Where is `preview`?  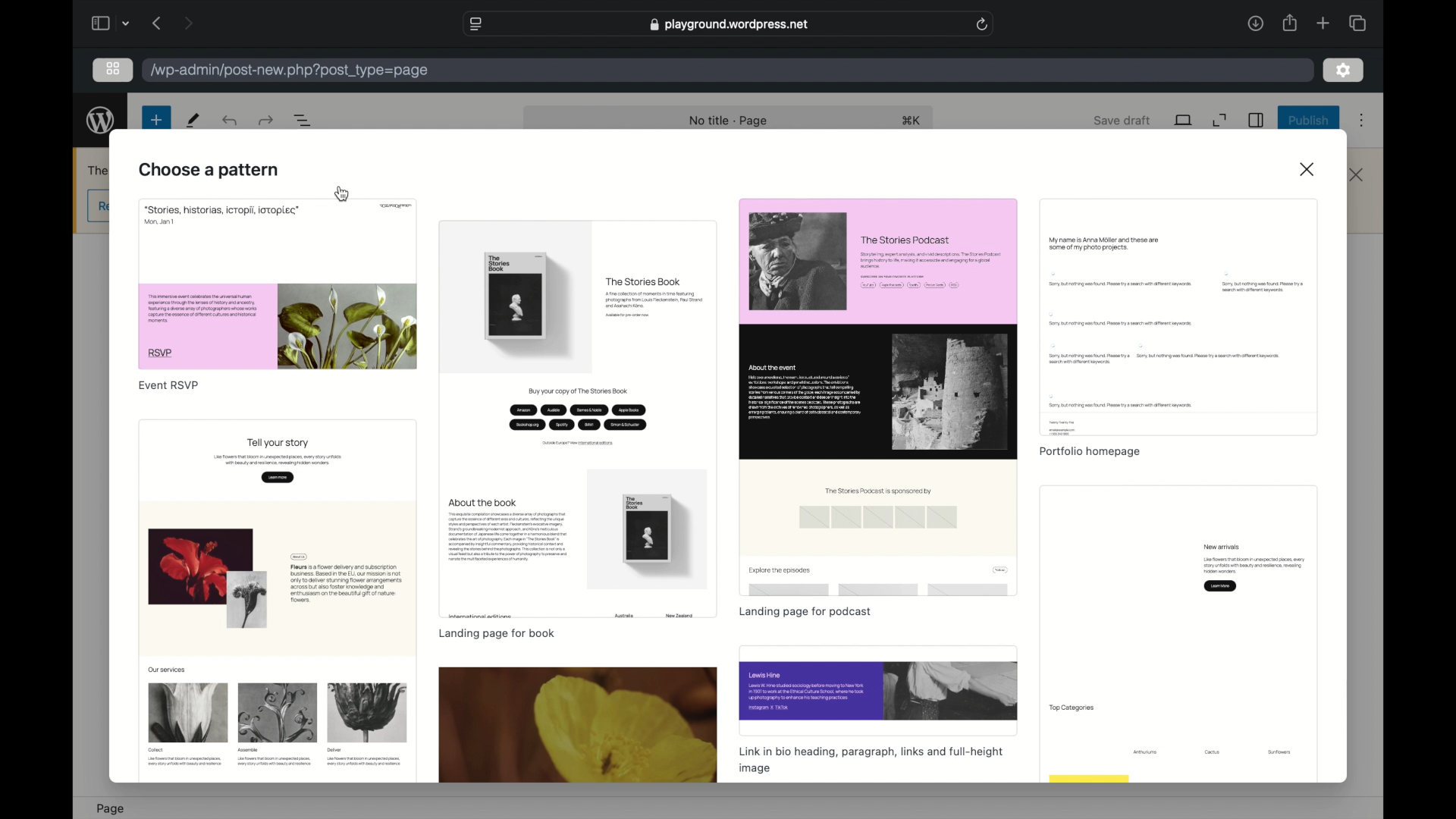 preview is located at coordinates (578, 725).